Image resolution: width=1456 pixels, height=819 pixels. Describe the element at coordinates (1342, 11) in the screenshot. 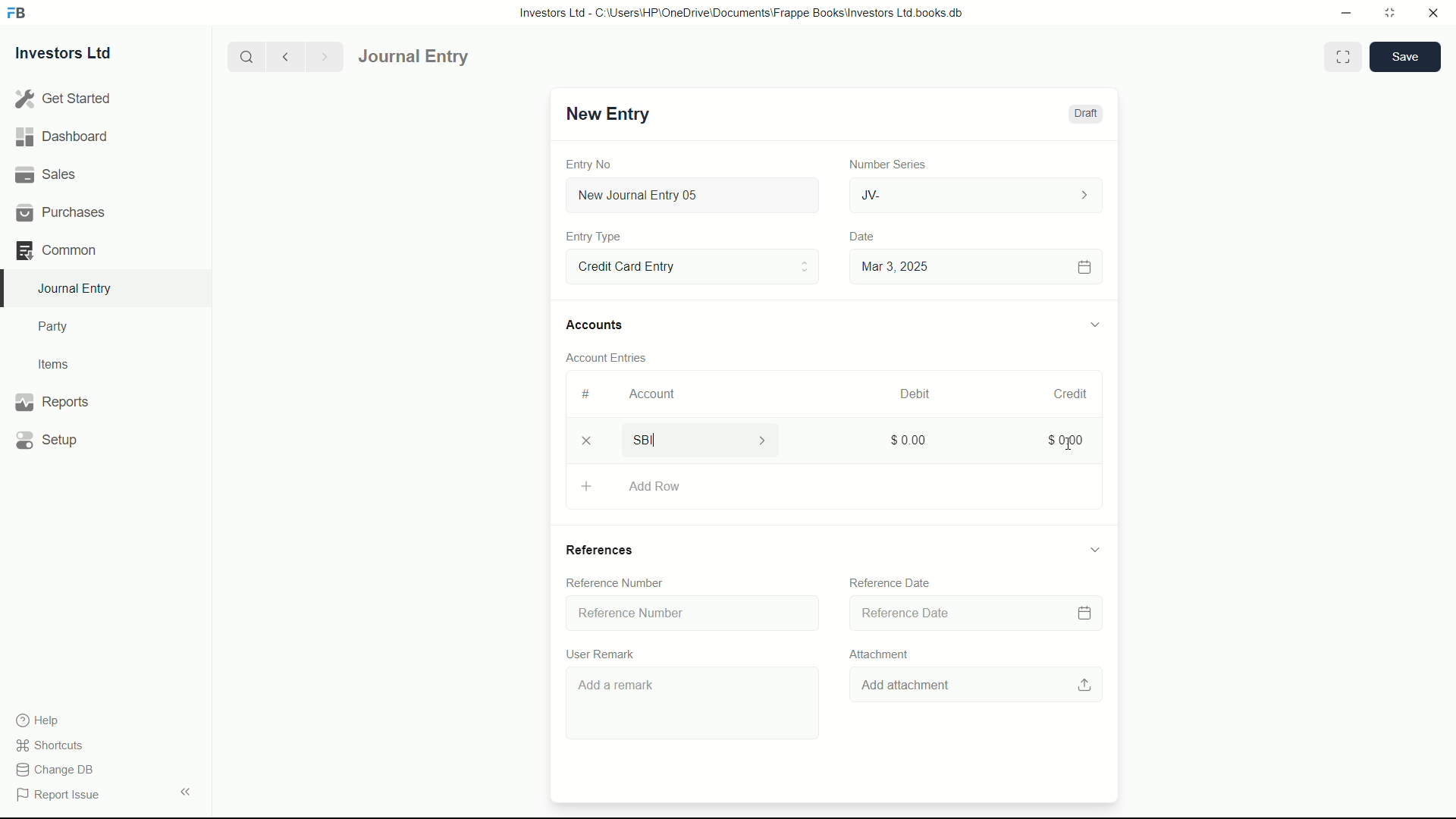

I see `minimize` at that location.